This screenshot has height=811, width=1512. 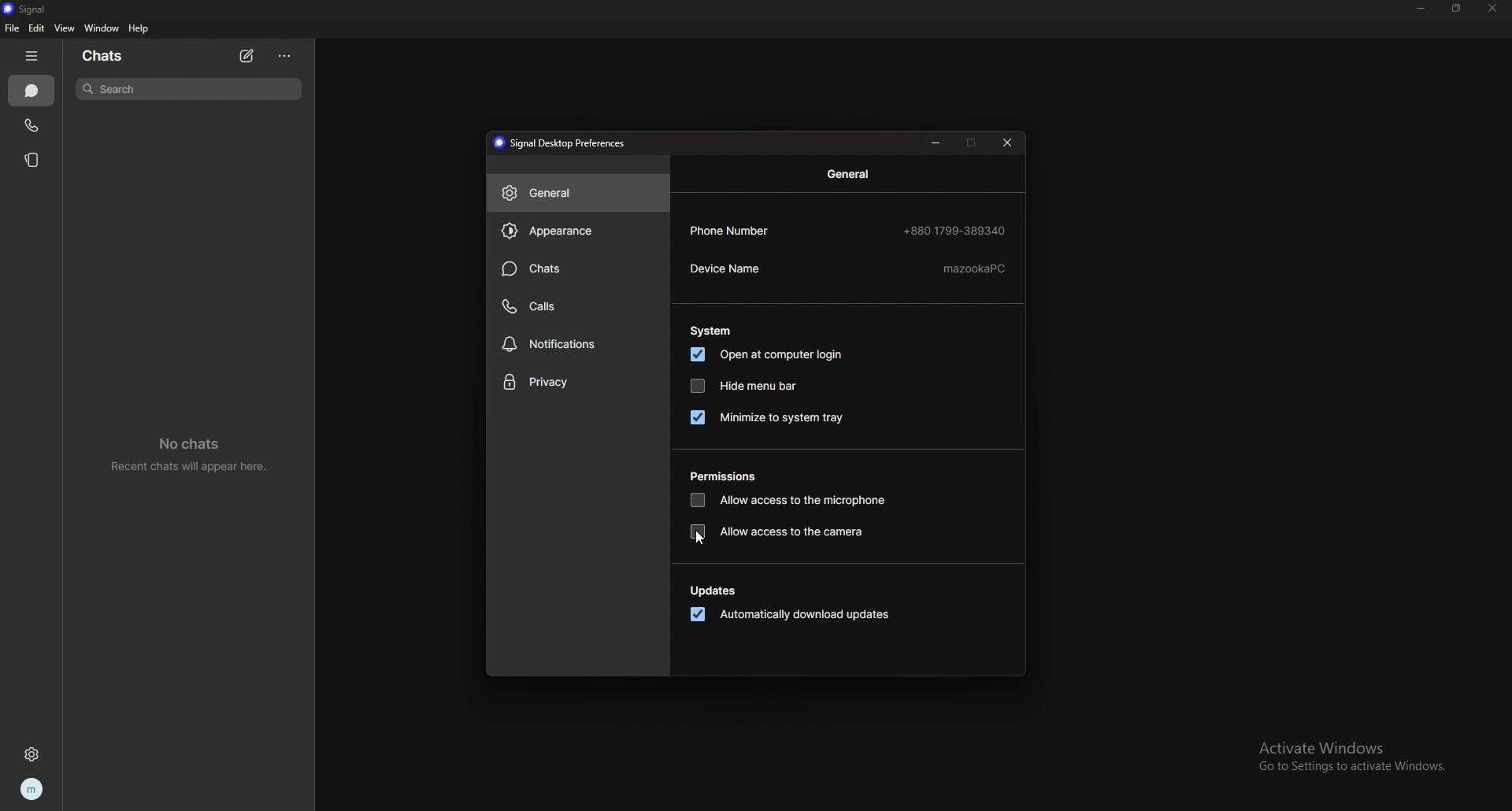 What do you see at coordinates (106, 56) in the screenshot?
I see `chats` at bounding box center [106, 56].